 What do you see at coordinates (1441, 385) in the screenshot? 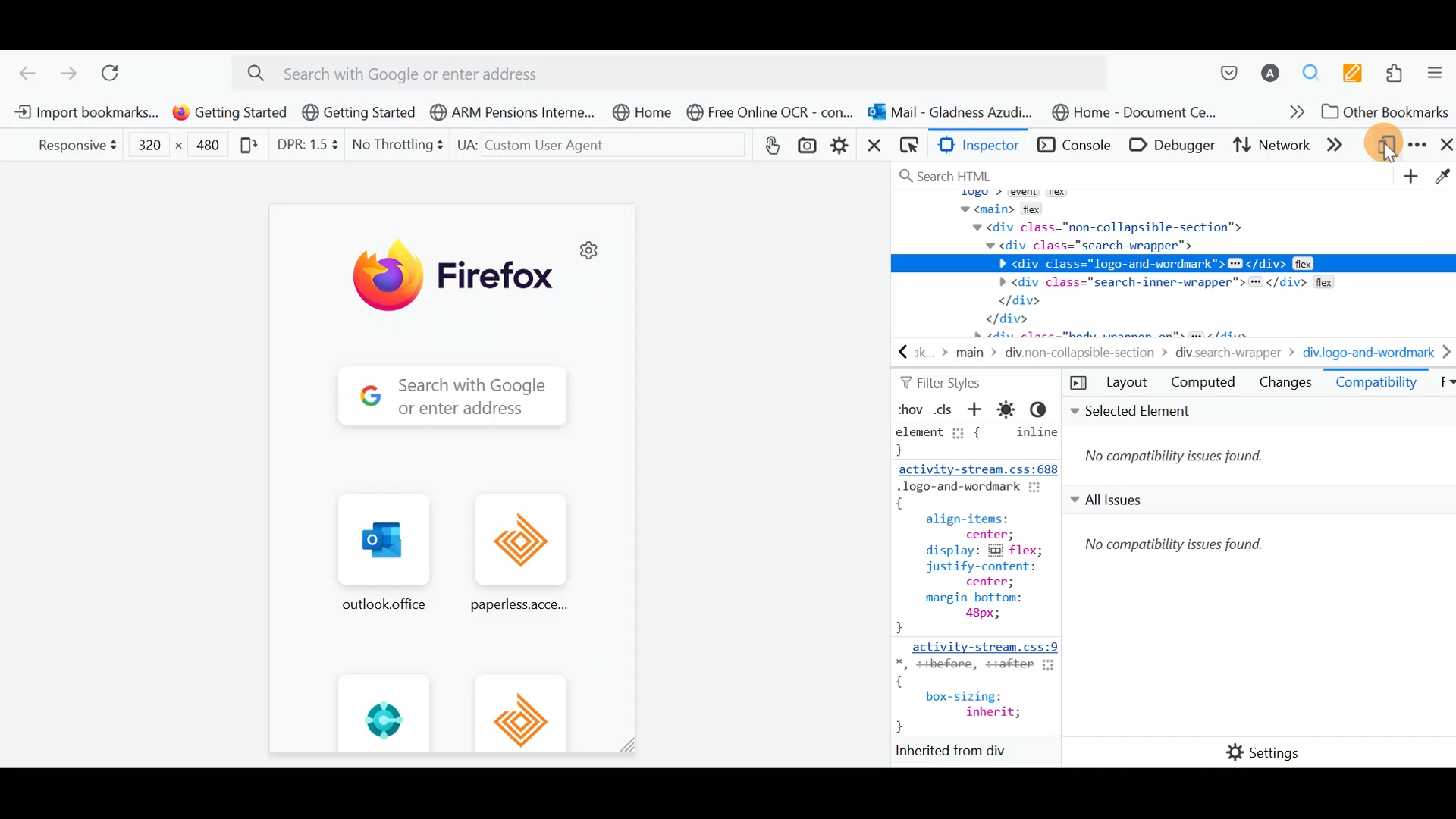
I see `Show all tabs` at bounding box center [1441, 385].